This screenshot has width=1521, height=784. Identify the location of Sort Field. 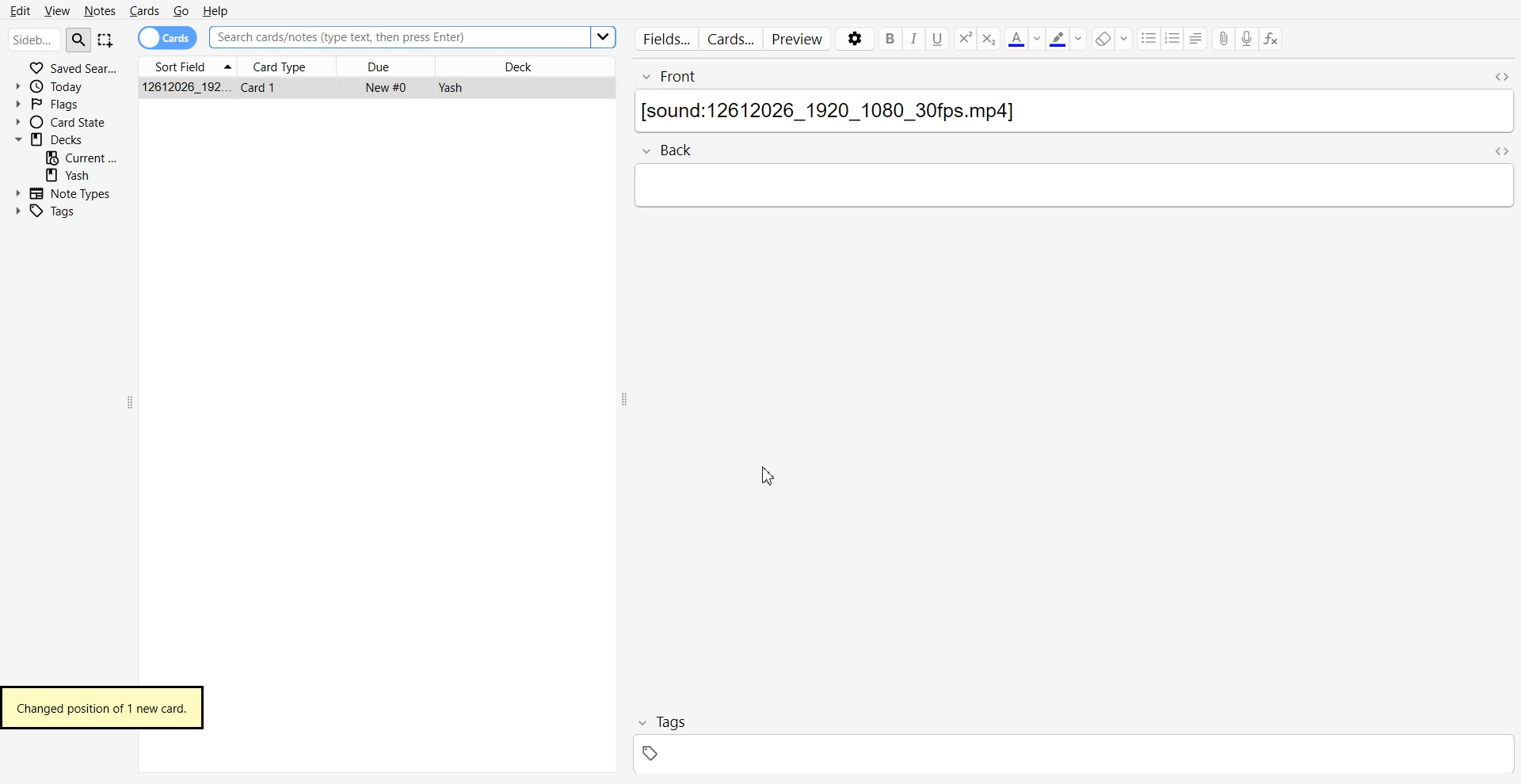
(188, 65).